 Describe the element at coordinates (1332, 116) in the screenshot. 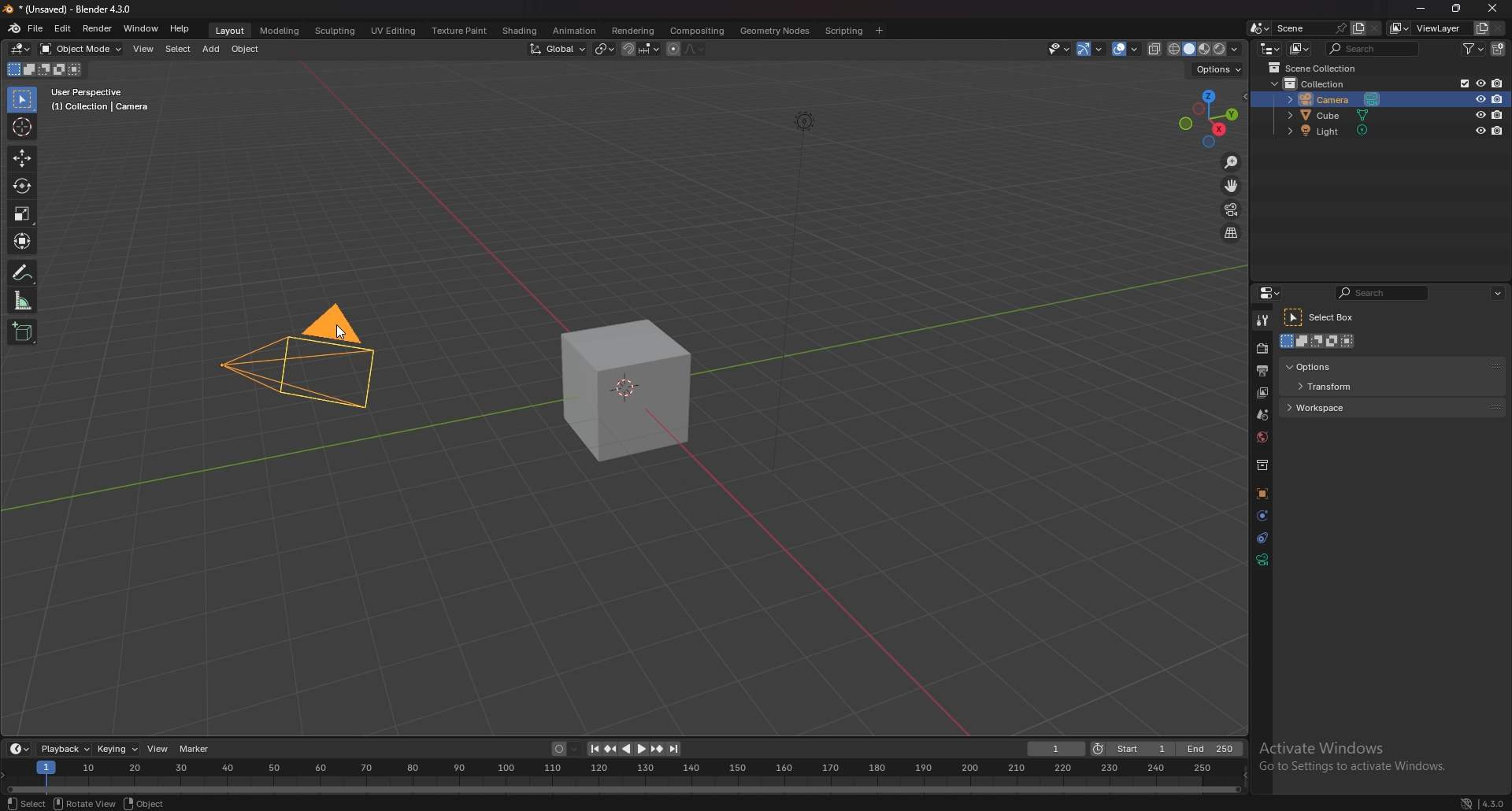

I see `cube` at that location.